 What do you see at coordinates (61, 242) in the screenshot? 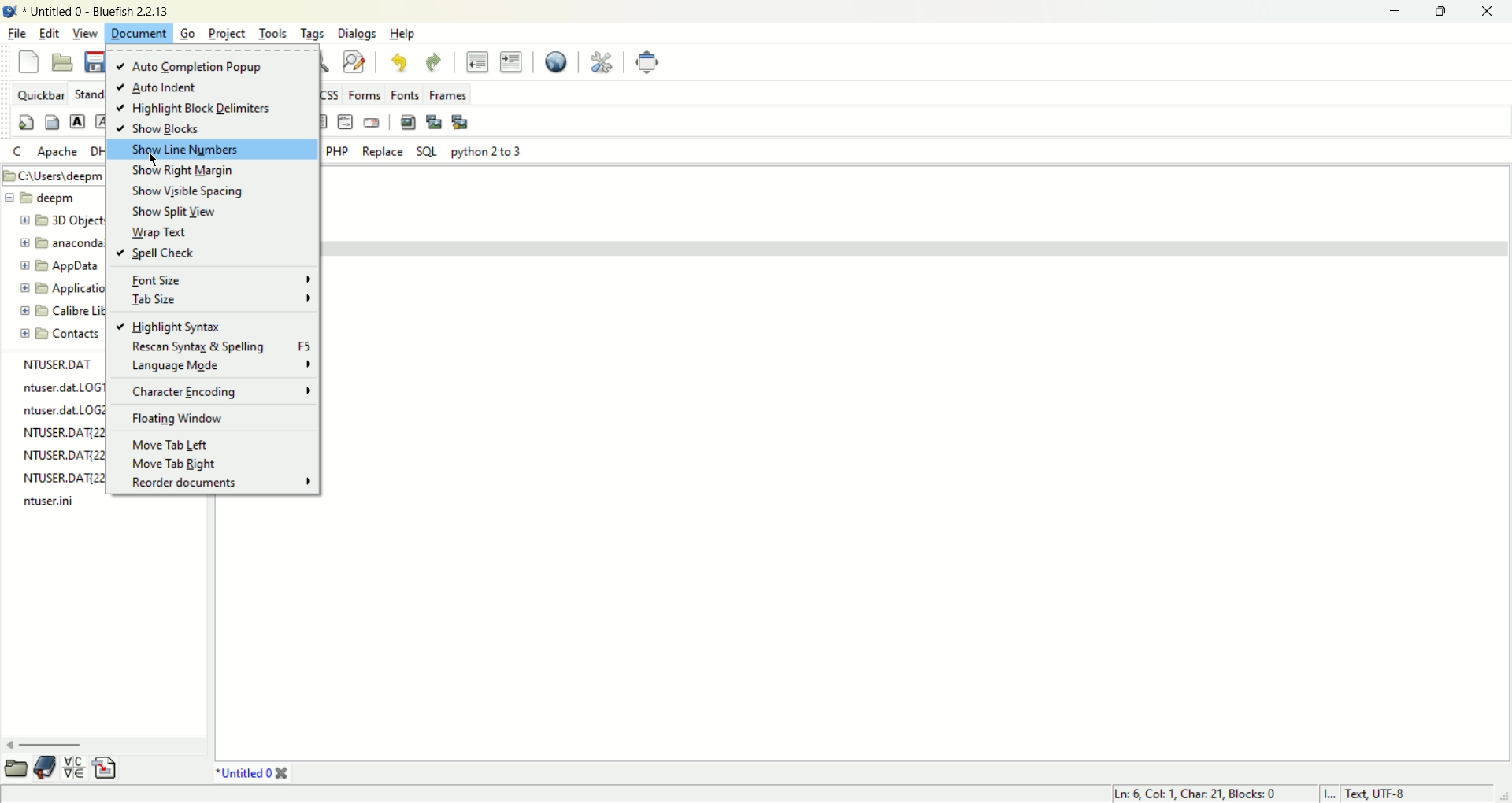
I see `anaconda` at bounding box center [61, 242].